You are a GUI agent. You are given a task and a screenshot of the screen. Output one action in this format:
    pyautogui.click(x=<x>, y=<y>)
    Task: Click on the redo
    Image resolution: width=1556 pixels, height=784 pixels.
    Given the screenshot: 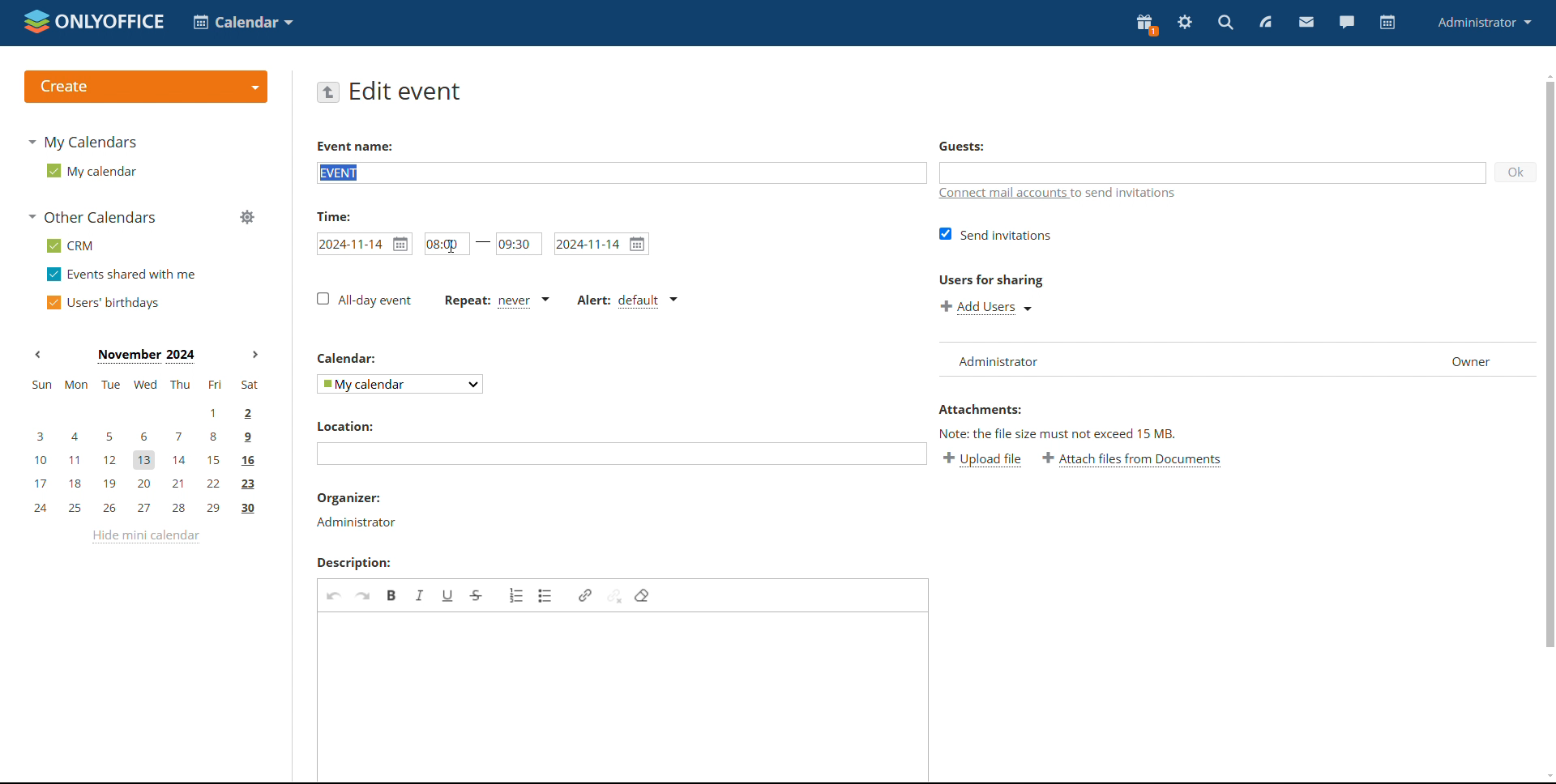 What is the action you would take?
    pyautogui.click(x=363, y=594)
    